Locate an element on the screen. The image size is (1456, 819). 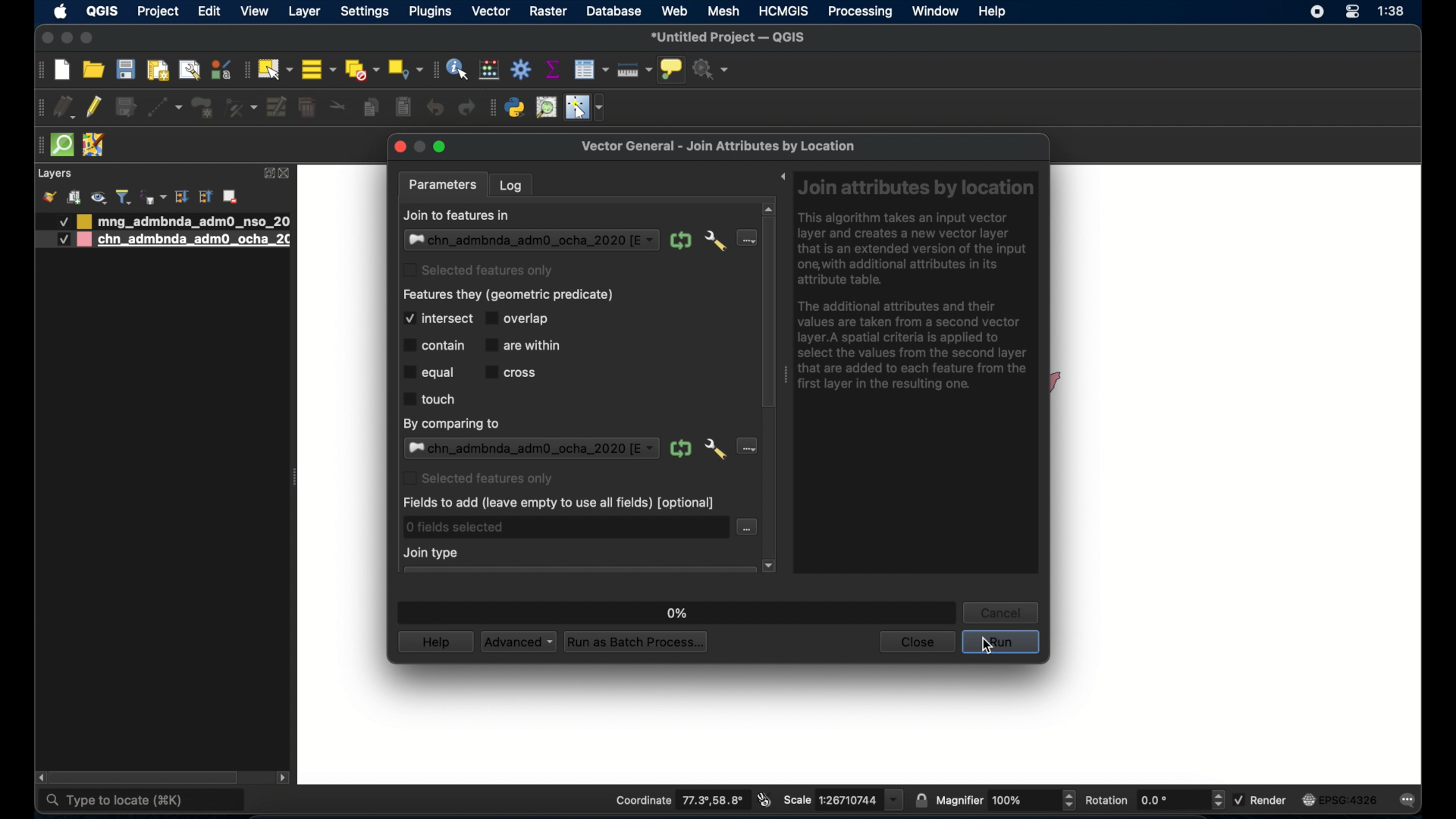
save edits is located at coordinates (127, 107).